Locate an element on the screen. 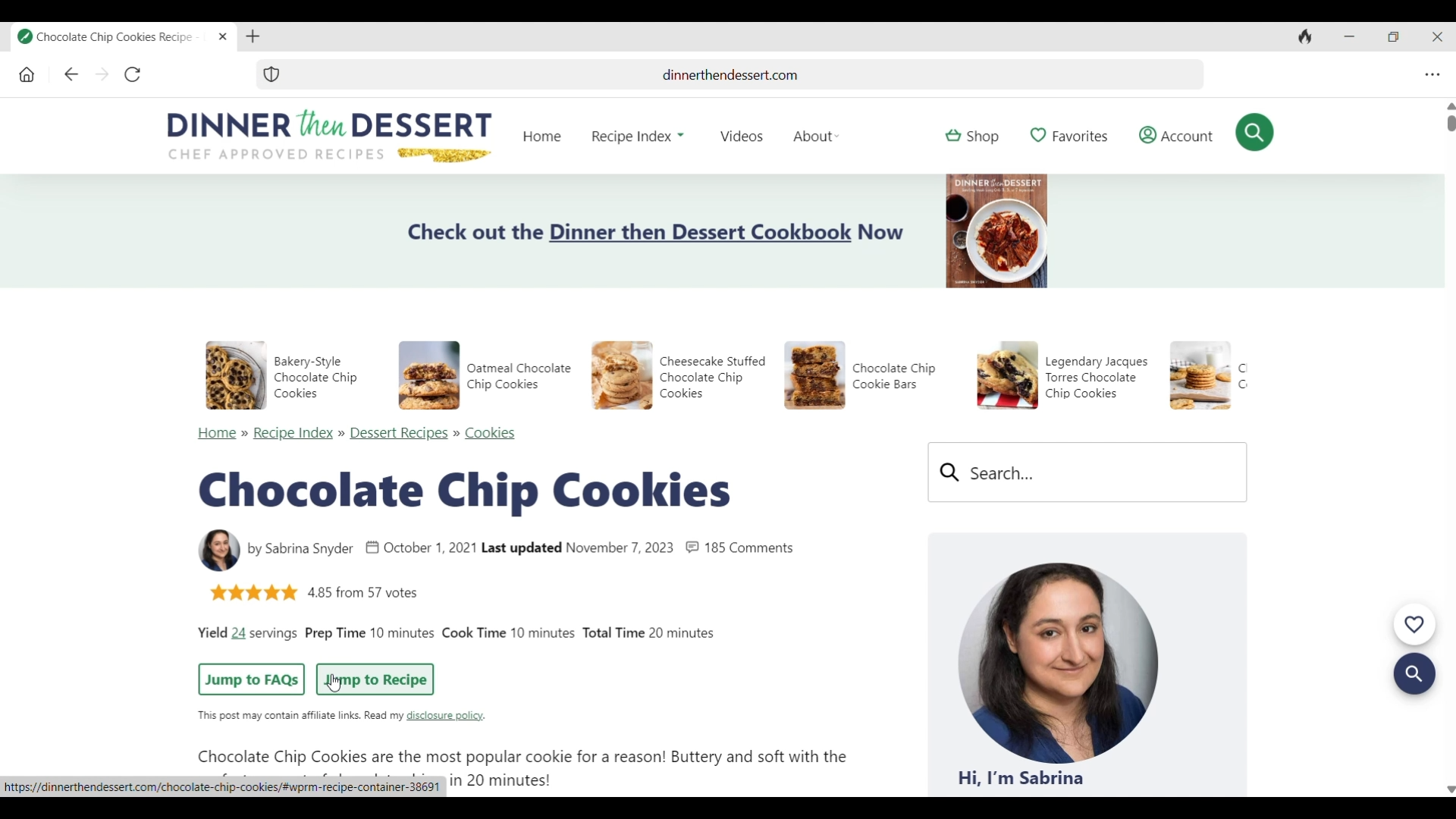  Videos page is located at coordinates (742, 136).